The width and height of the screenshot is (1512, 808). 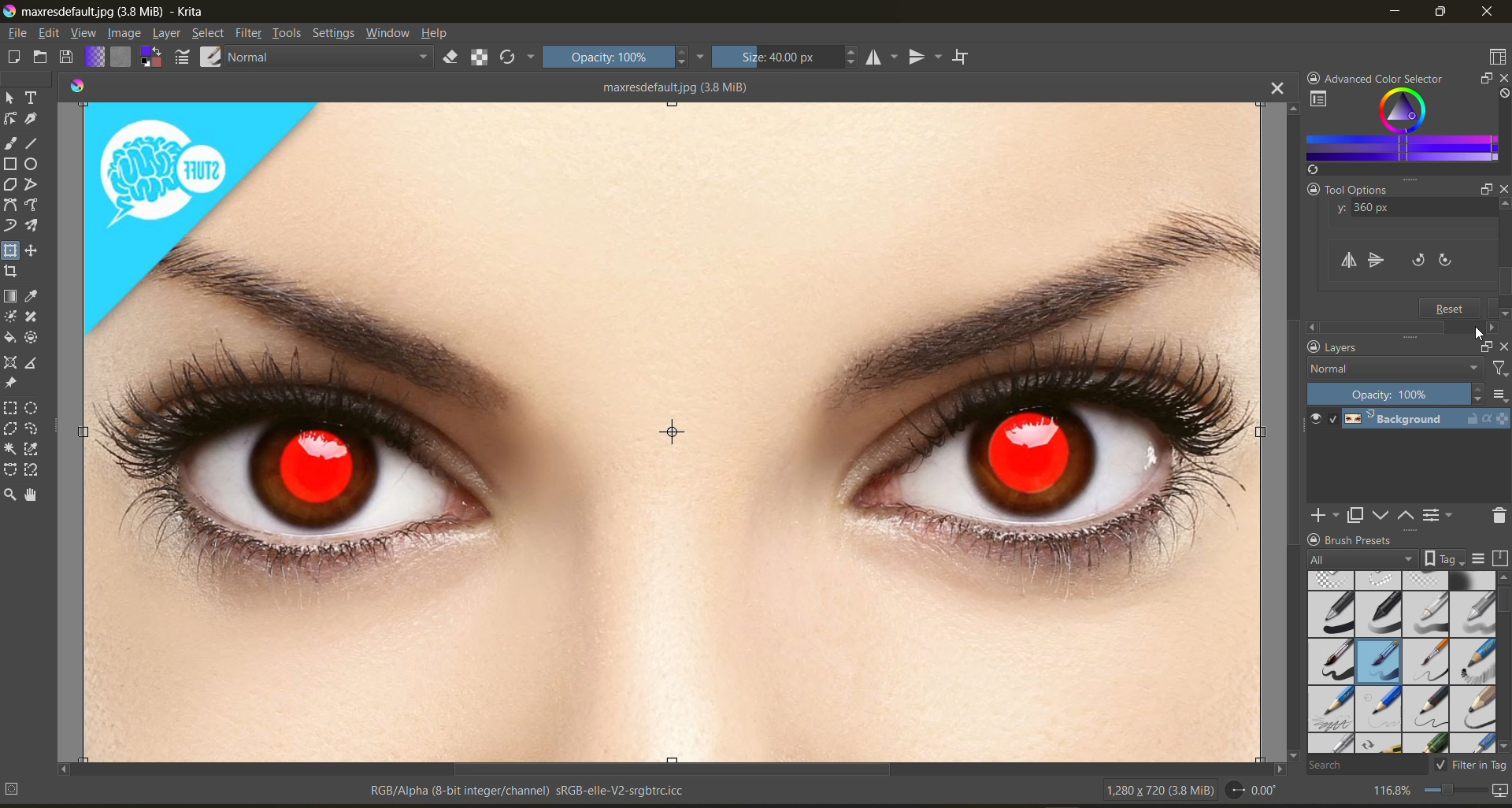 What do you see at coordinates (13, 59) in the screenshot?
I see `create` at bounding box center [13, 59].